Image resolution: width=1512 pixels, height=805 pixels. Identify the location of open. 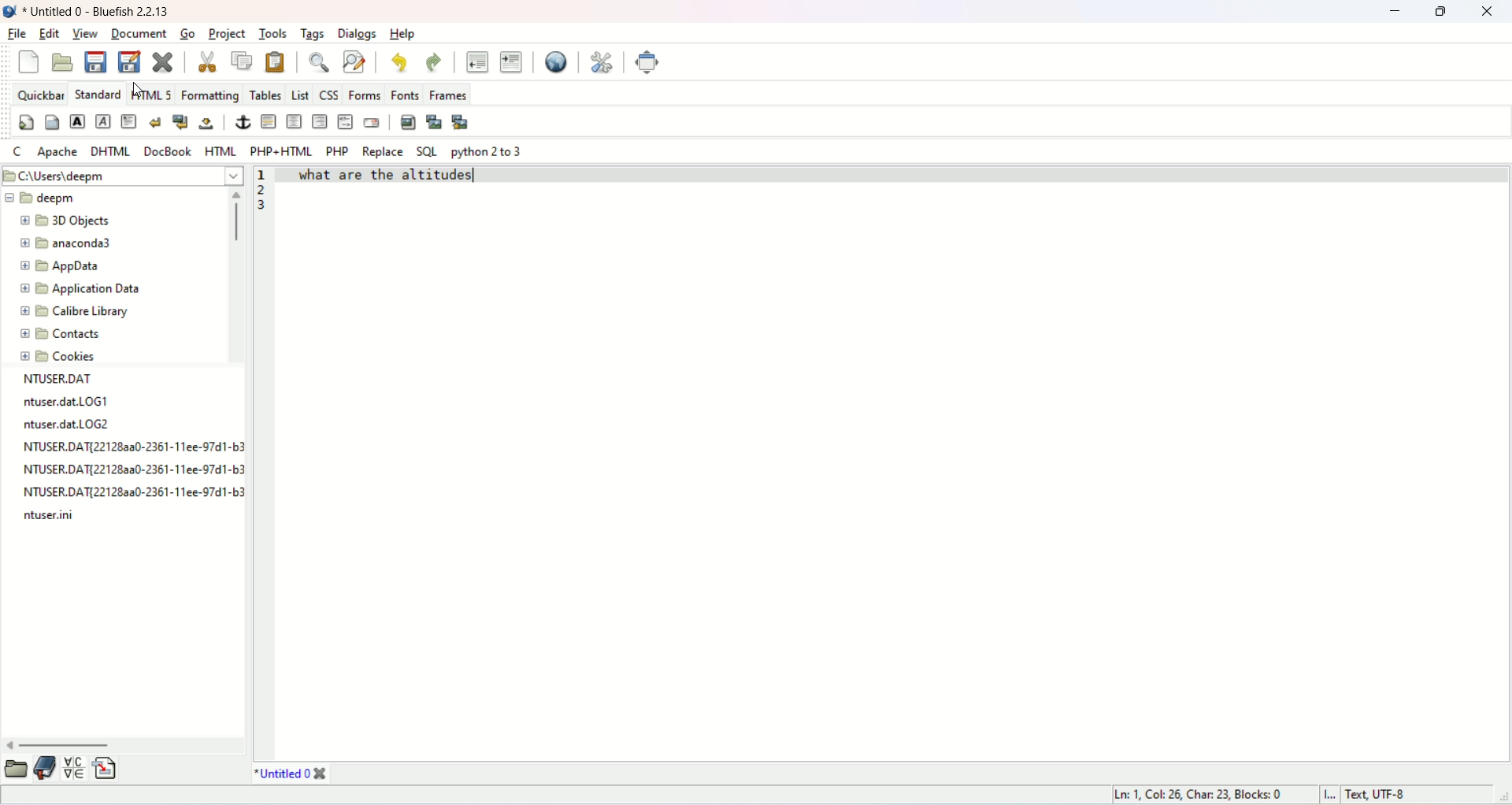
(17, 769).